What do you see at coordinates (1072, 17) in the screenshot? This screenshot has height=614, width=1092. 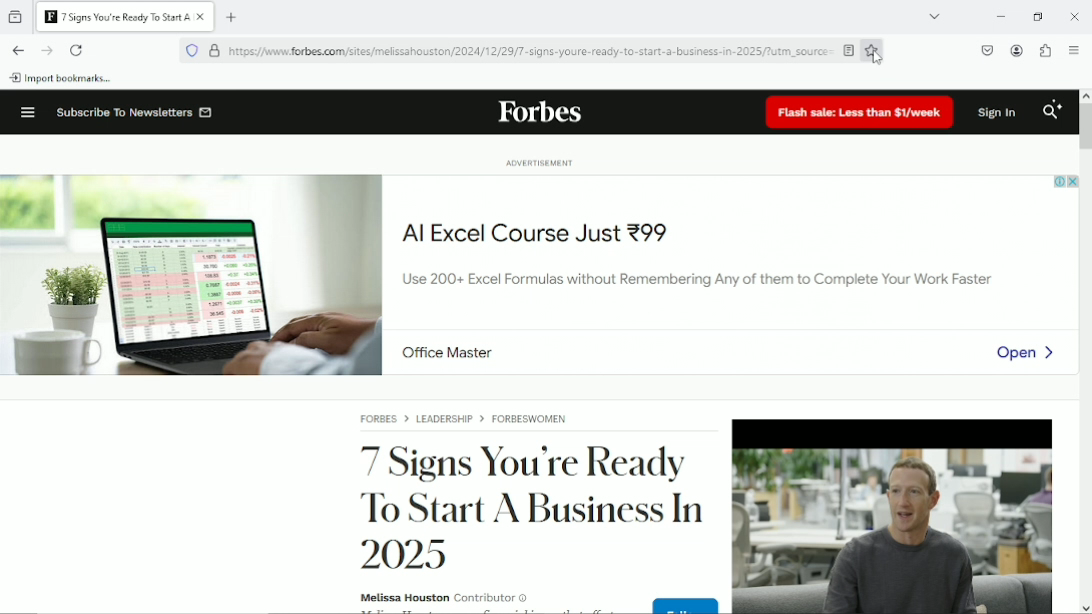 I see `Close` at bounding box center [1072, 17].